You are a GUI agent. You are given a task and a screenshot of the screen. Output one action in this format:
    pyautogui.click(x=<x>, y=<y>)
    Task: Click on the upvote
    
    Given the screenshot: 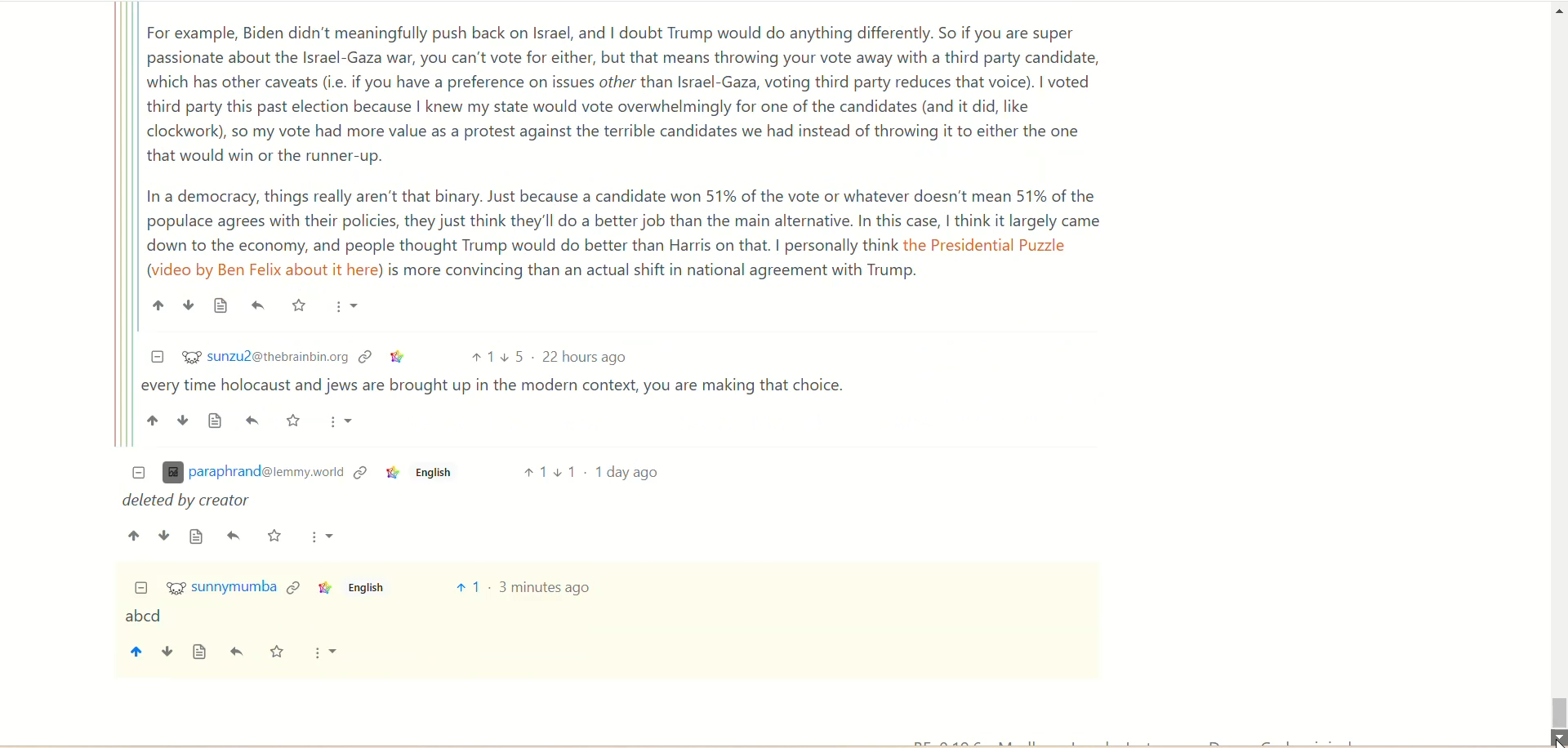 What is the action you would take?
    pyautogui.click(x=135, y=651)
    